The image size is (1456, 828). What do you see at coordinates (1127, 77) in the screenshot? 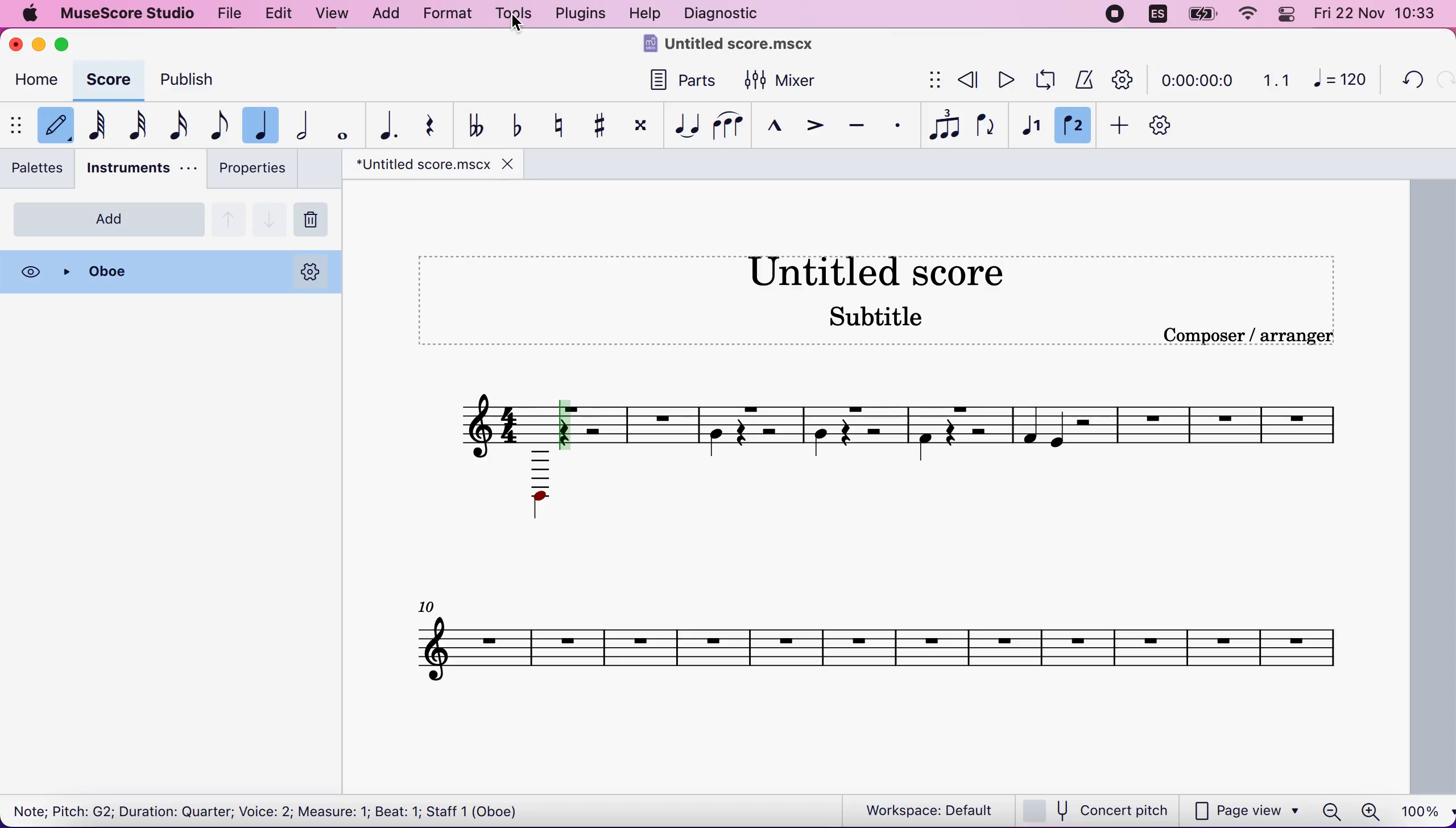
I see `playback tool` at bounding box center [1127, 77].